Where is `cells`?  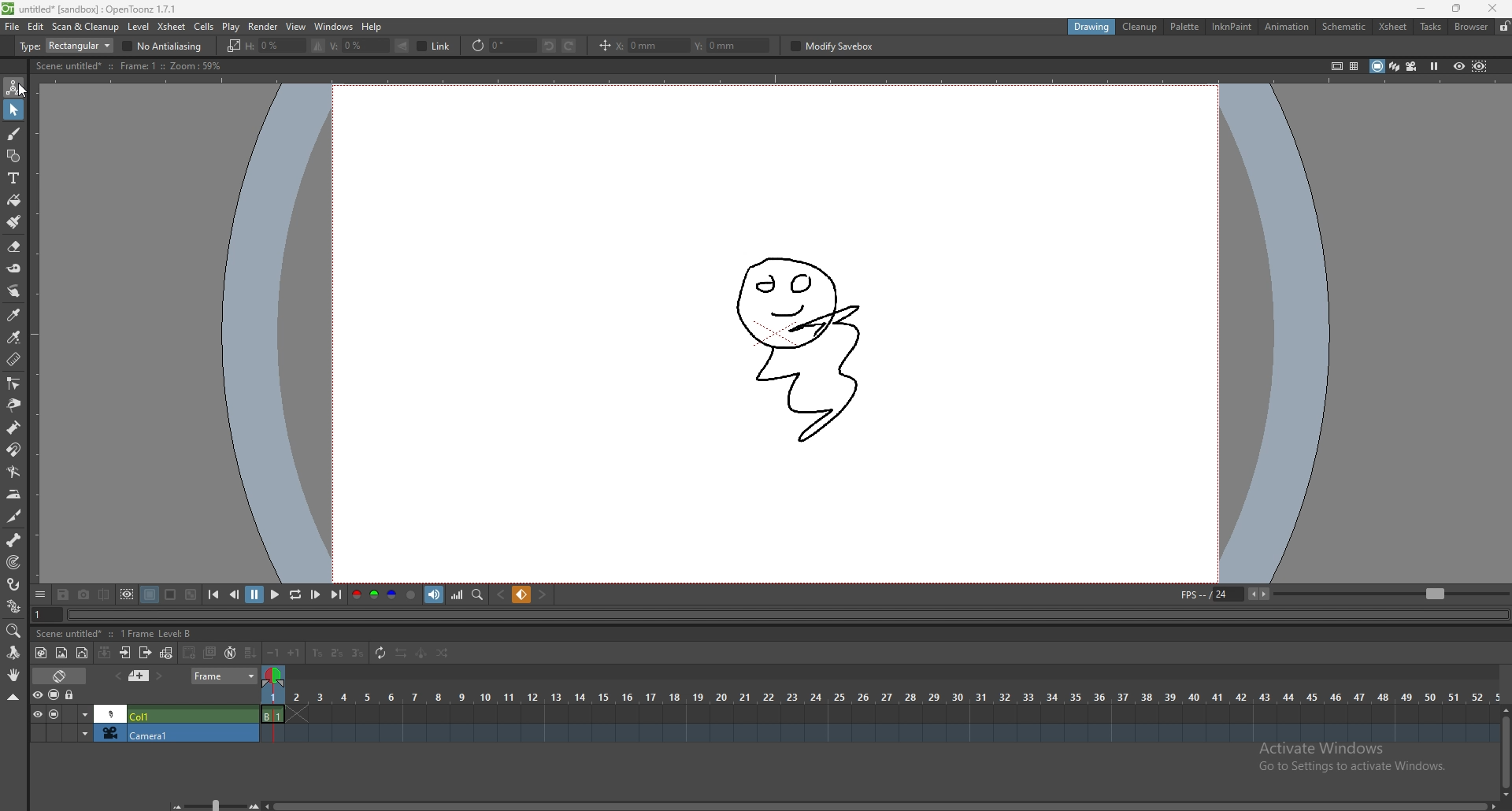
cells is located at coordinates (204, 26).